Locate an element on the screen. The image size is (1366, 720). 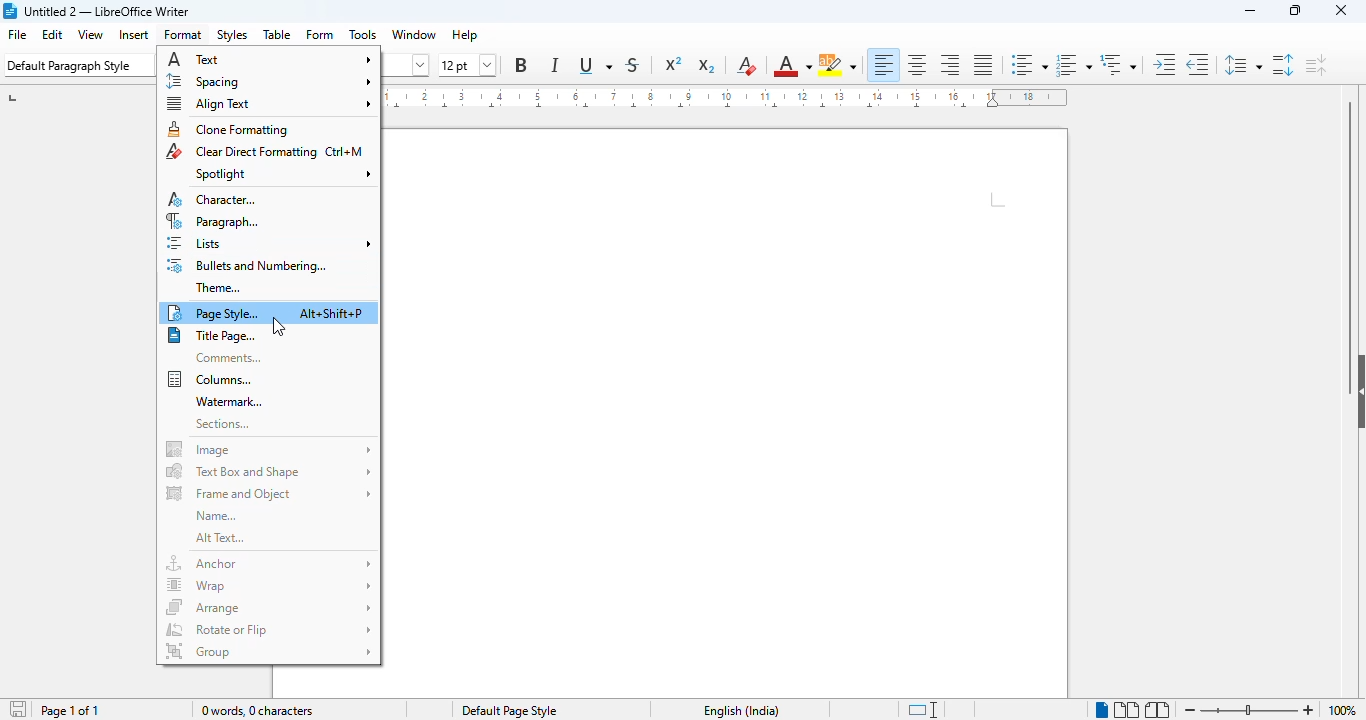
align right is located at coordinates (951, 65).